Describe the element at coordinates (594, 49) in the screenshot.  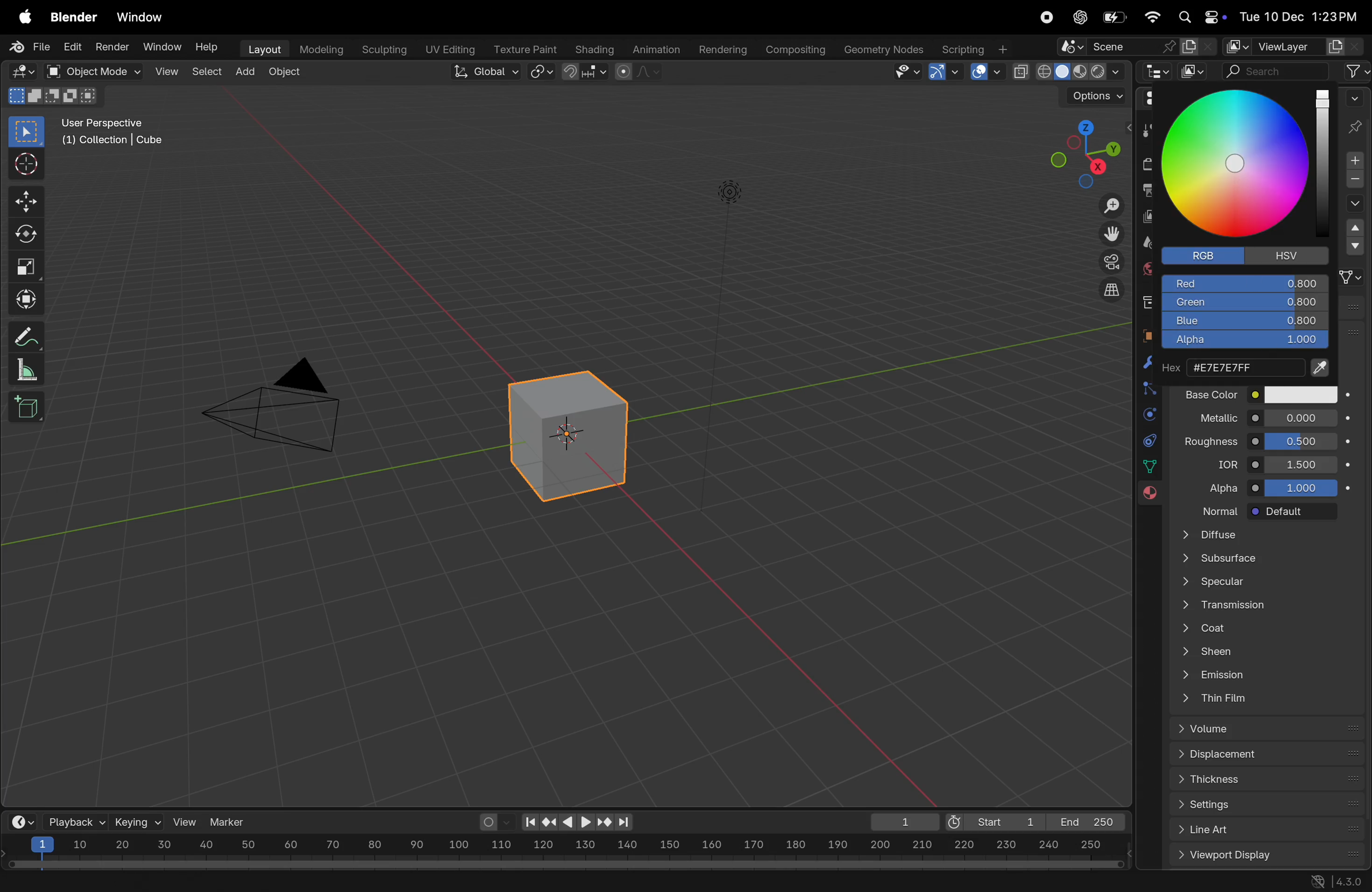
I see `Shading` at that location.